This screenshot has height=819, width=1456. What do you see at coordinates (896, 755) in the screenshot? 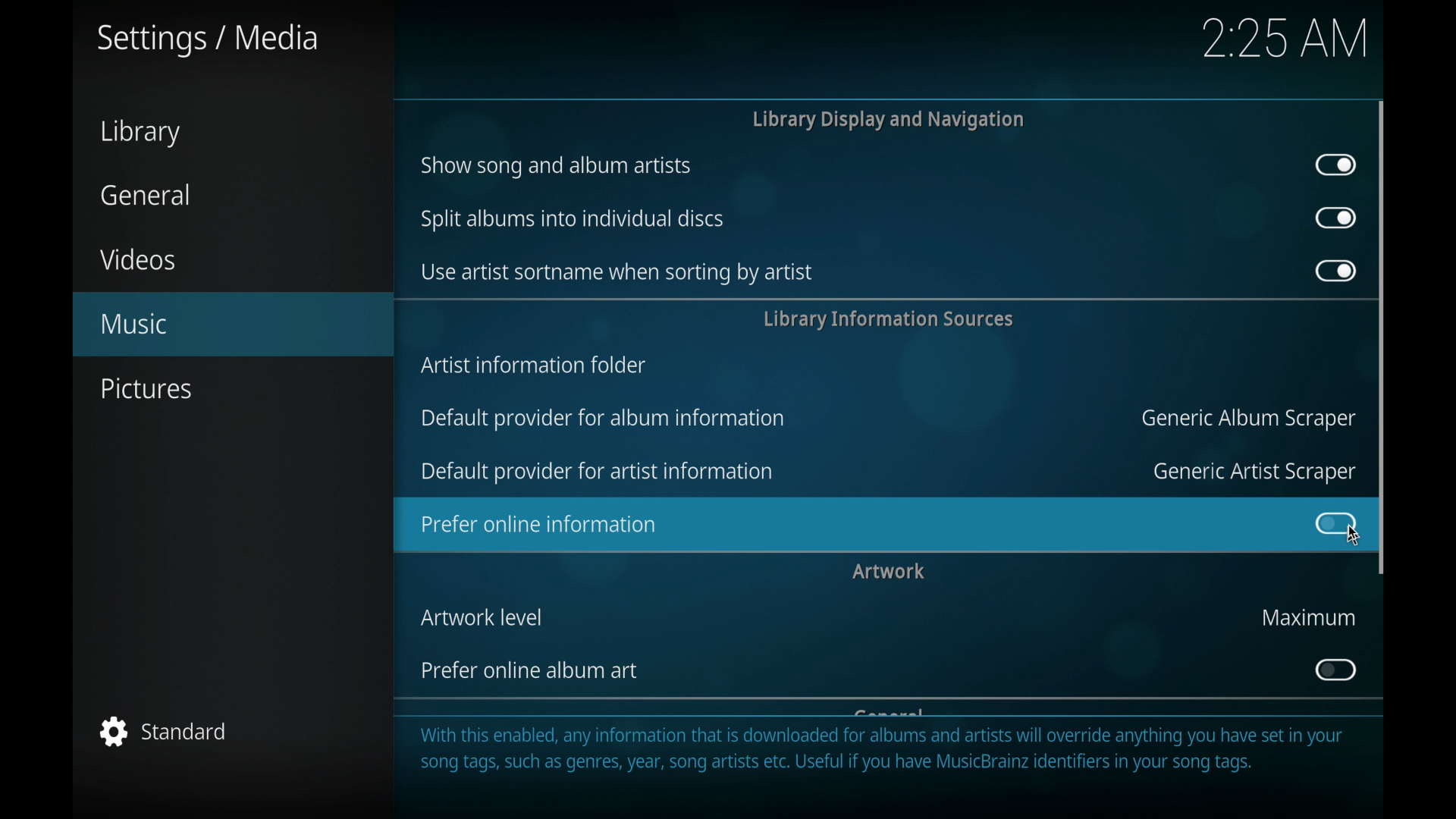
I see `With this enabled, any information that is downloaded for albums and artists will override anything you have set in your
song tags, such as genres, year, song artists etc. Useful if you have MusicBrainz identifiers in your song tags.` at bounding box center [896, 755].